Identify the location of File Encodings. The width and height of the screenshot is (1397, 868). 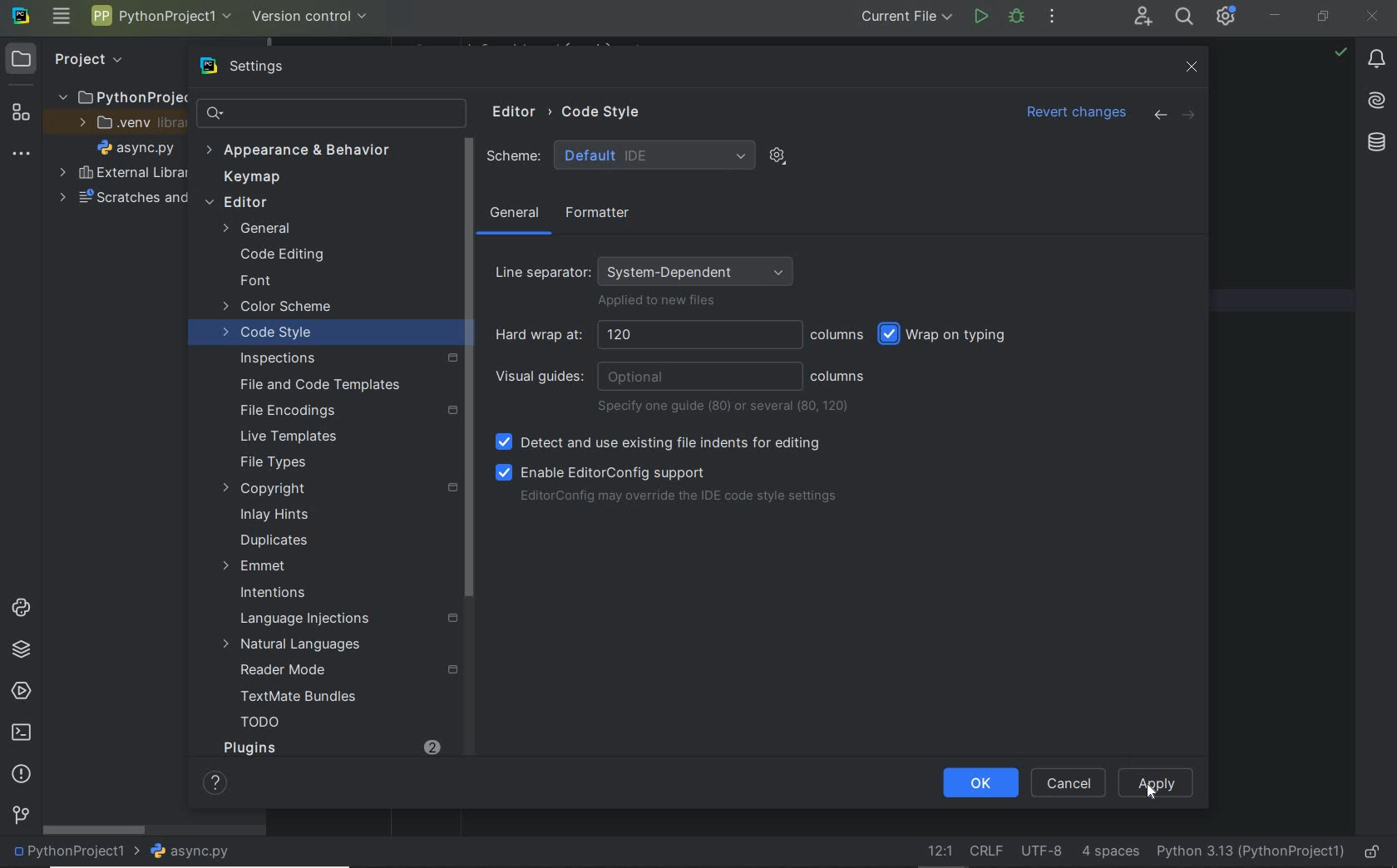
(343, 411).